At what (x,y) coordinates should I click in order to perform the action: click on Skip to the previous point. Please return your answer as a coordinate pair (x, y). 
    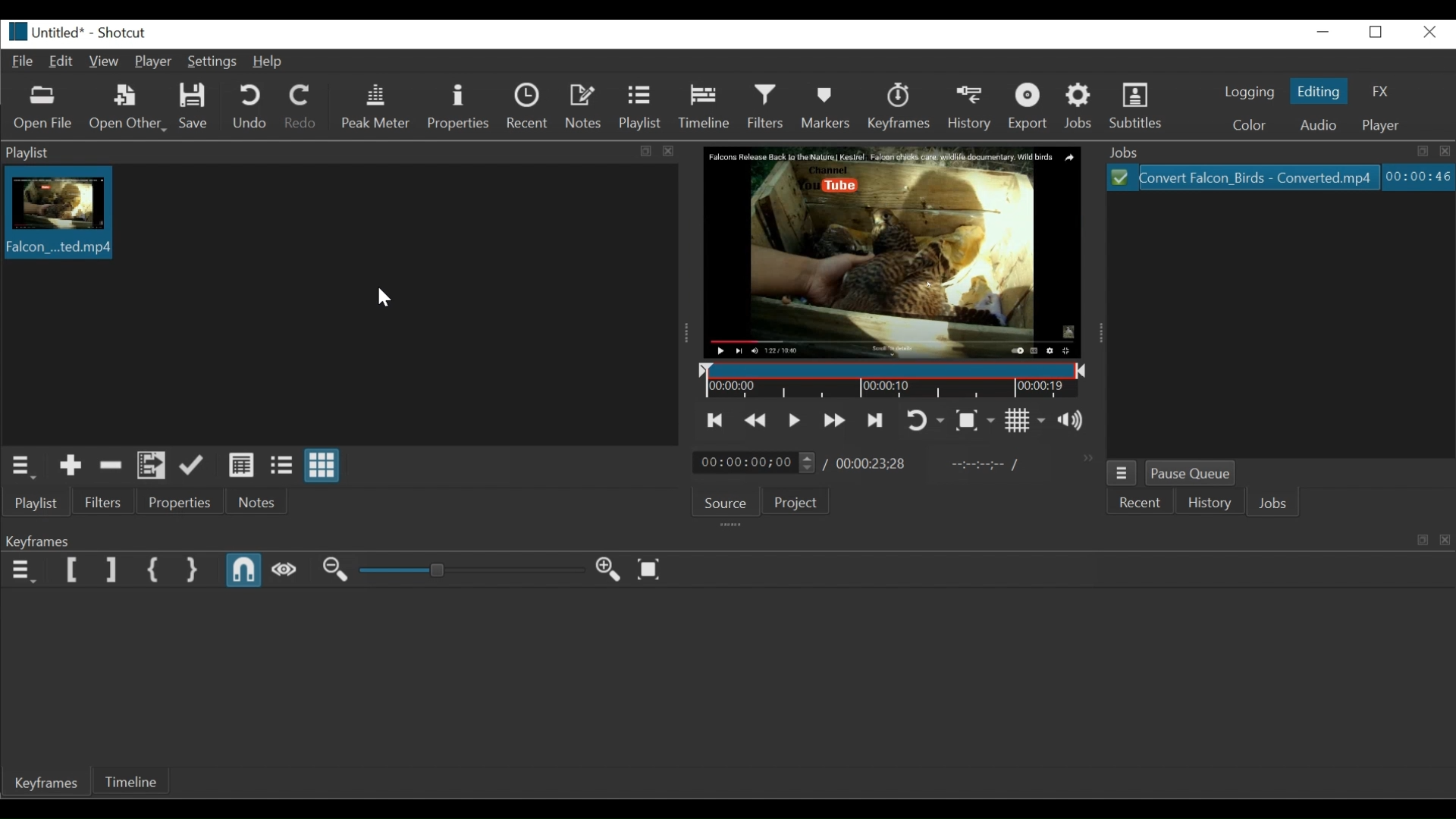
    Looking at the image, I should click on (713, 419).